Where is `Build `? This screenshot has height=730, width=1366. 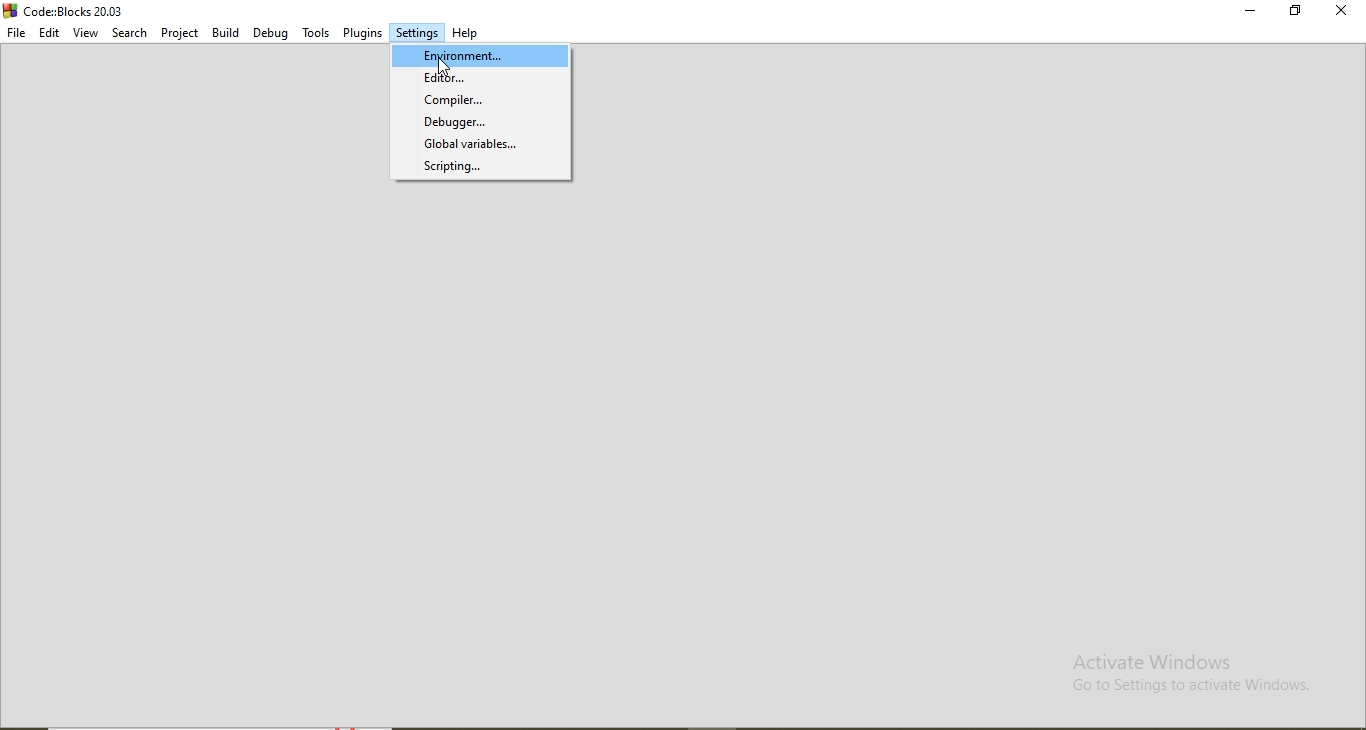
Build  is located at coordinates (227, 31).